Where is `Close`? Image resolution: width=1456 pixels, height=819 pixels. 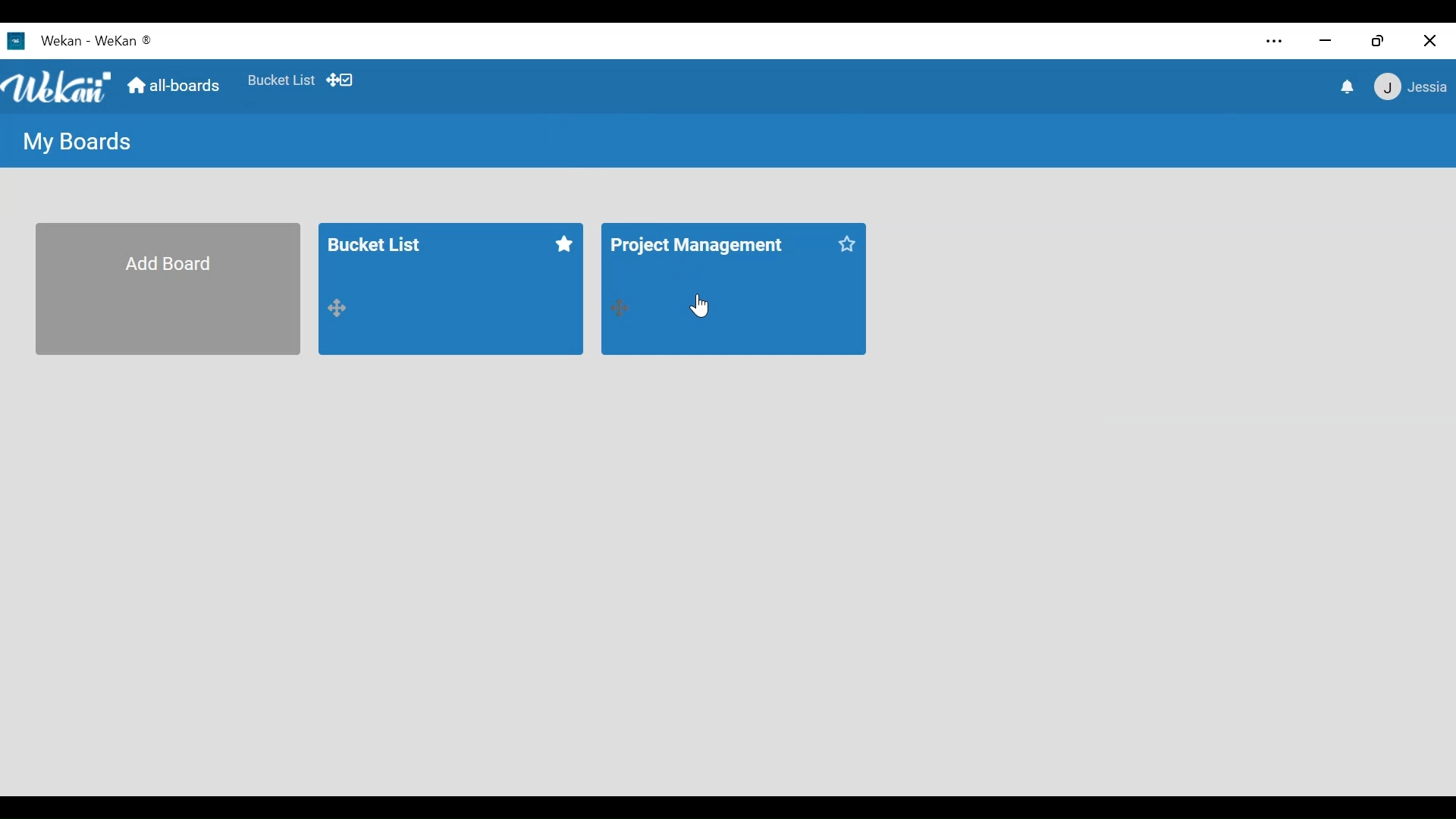
Close is located at coordinates (1432, 40).